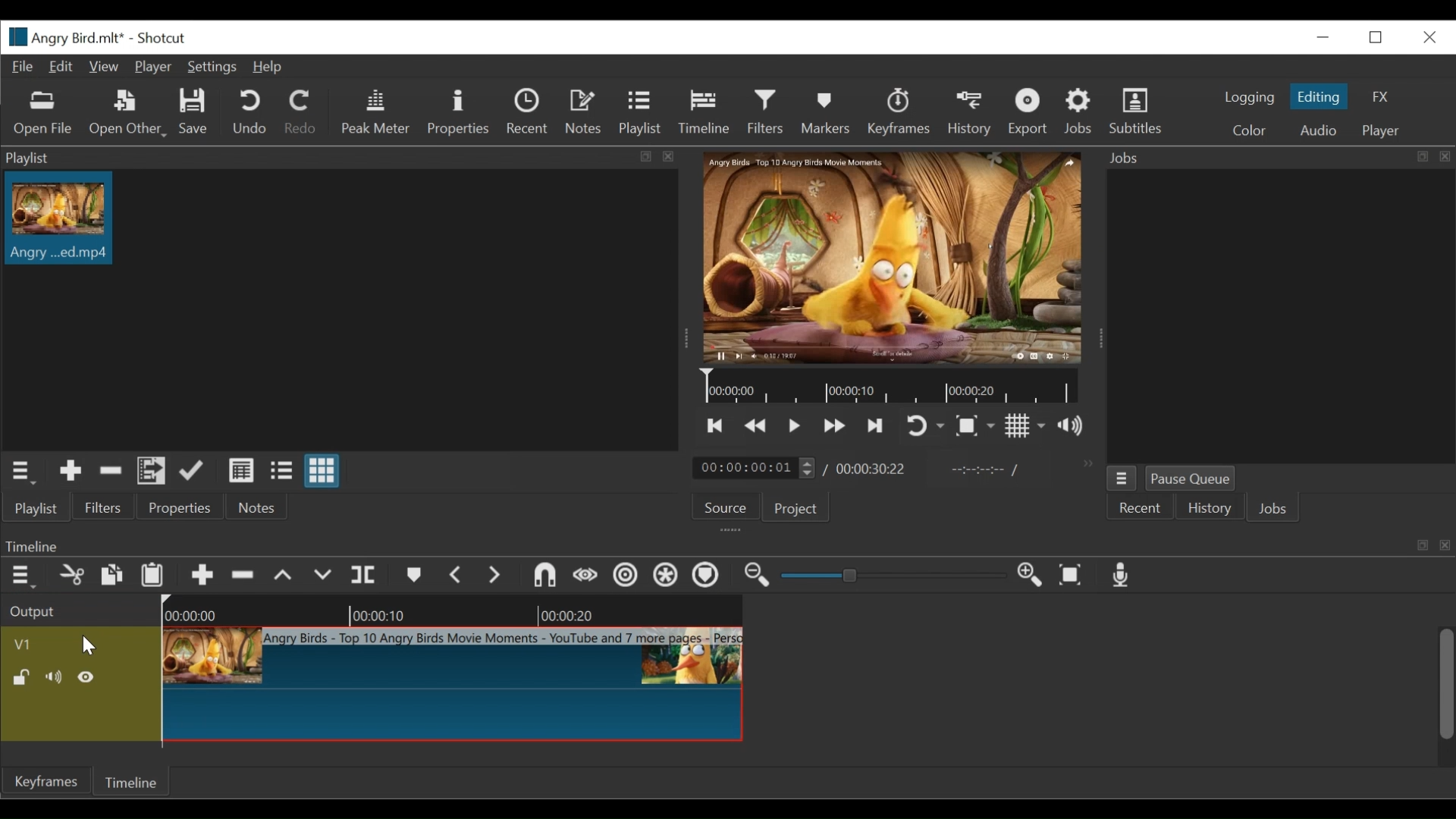 The height and width of the screenshot is (819, 1456). Describe the element at coordinates (874, 469) in the screenshot. I see `Total duration` at that location.